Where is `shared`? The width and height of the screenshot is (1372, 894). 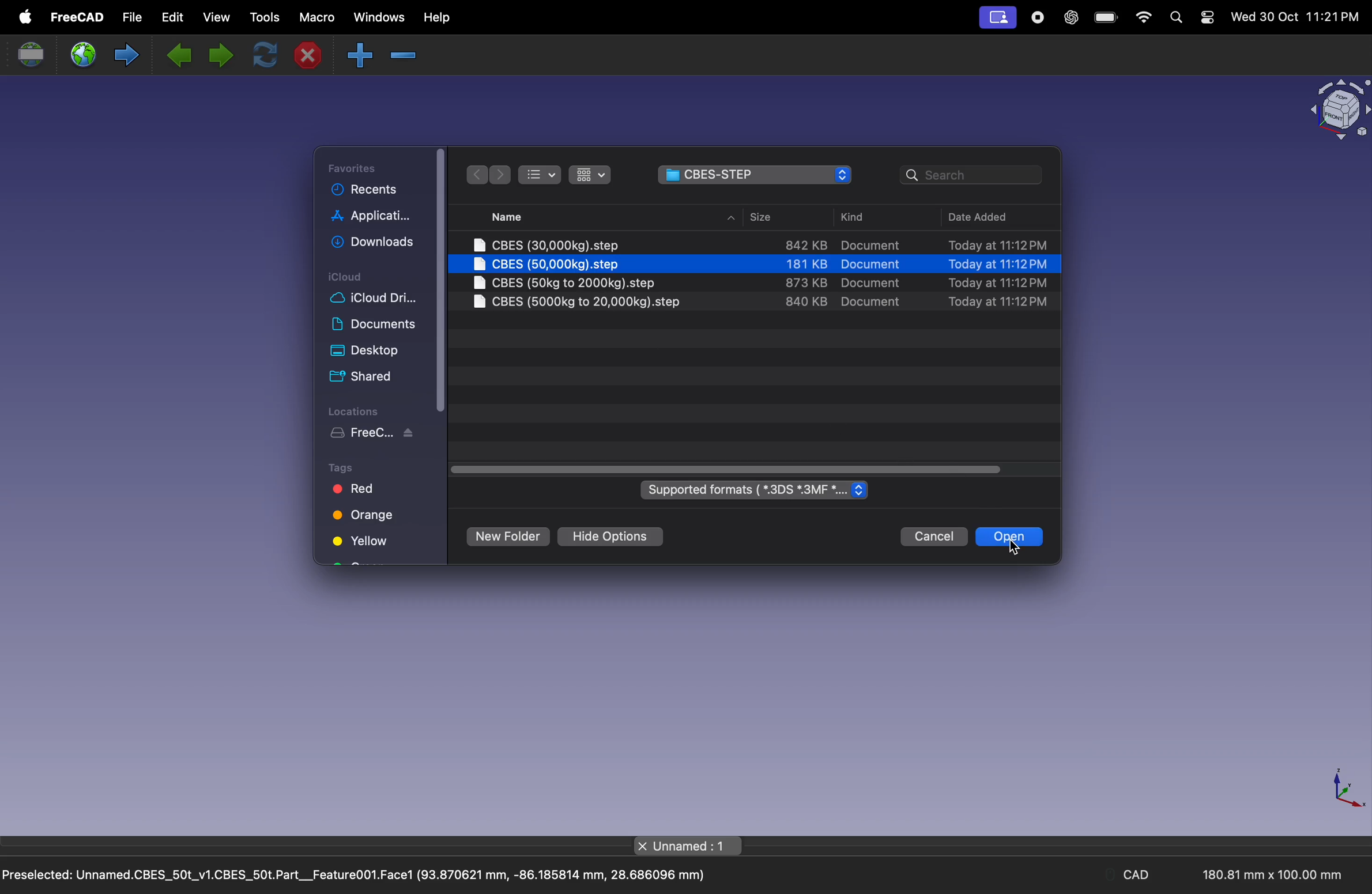 shared is located at coordinates (360, 375).